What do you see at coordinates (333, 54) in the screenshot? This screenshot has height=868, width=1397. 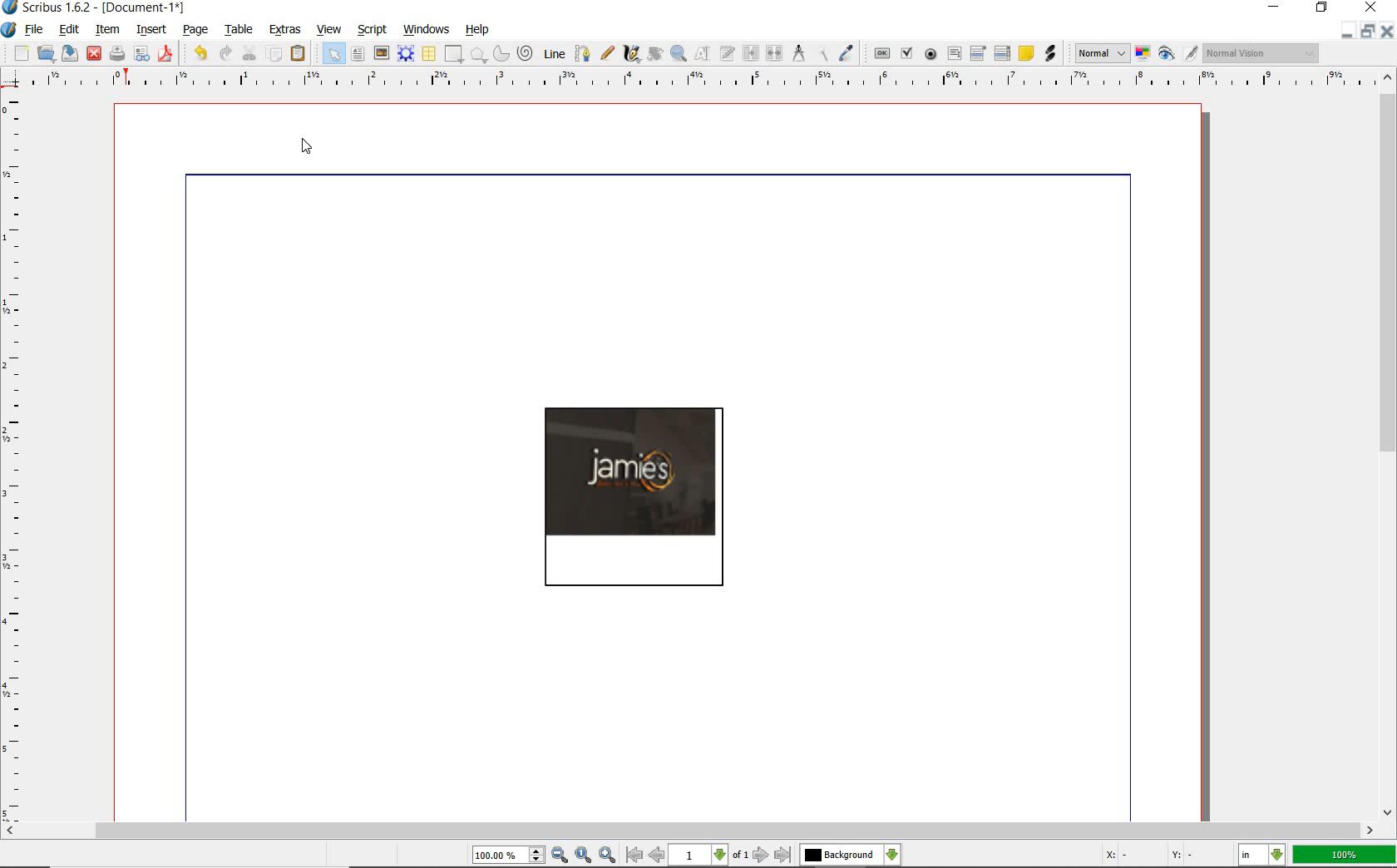 I see `select` at bounding box center [333, 54].